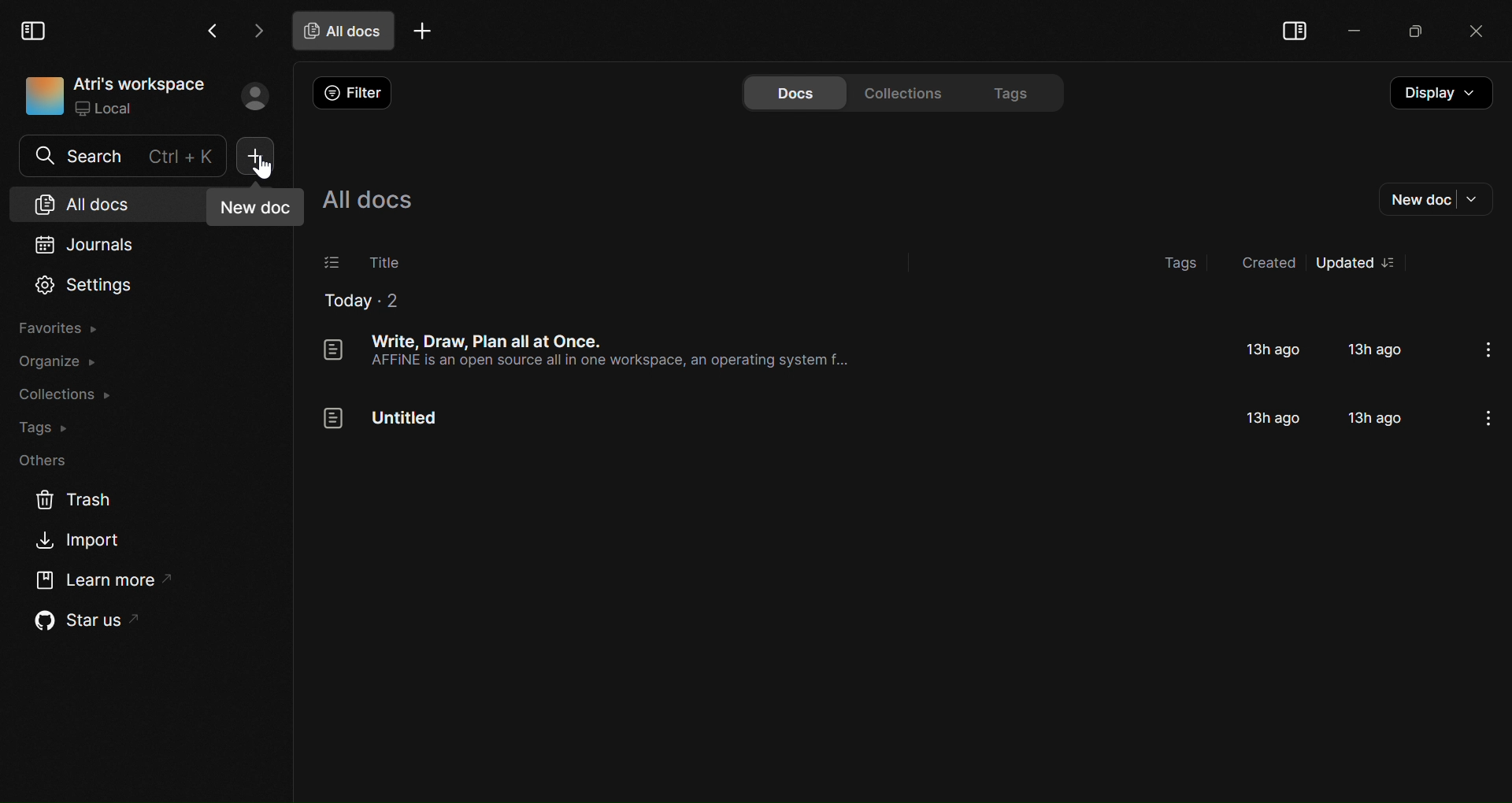 This screenshot has width=1512, height=803. Describe the element at coordinates (65, 396) in the screenshot. I see `Collections` at that location.